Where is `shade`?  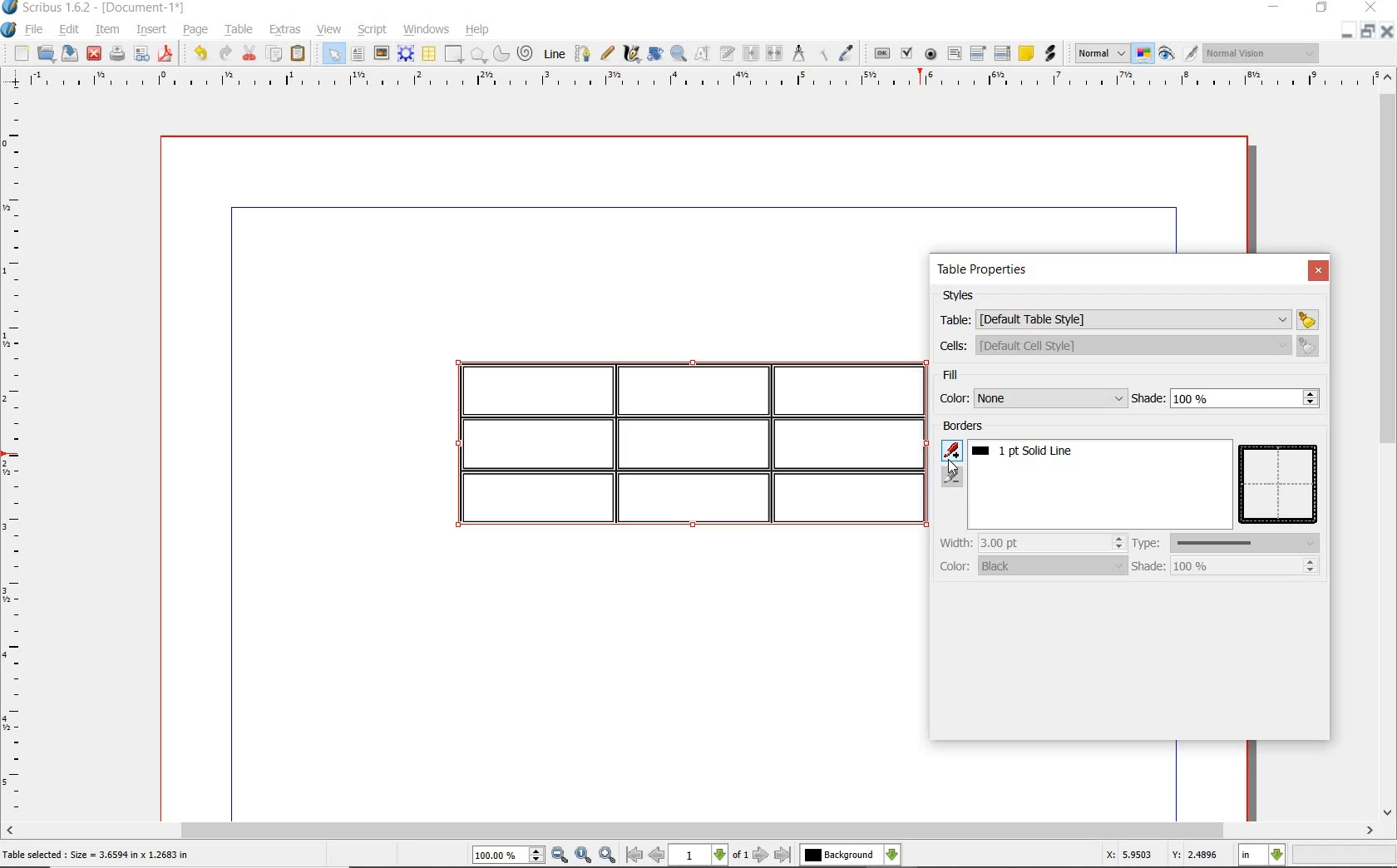 shade is located at coordinates (1223, 565).